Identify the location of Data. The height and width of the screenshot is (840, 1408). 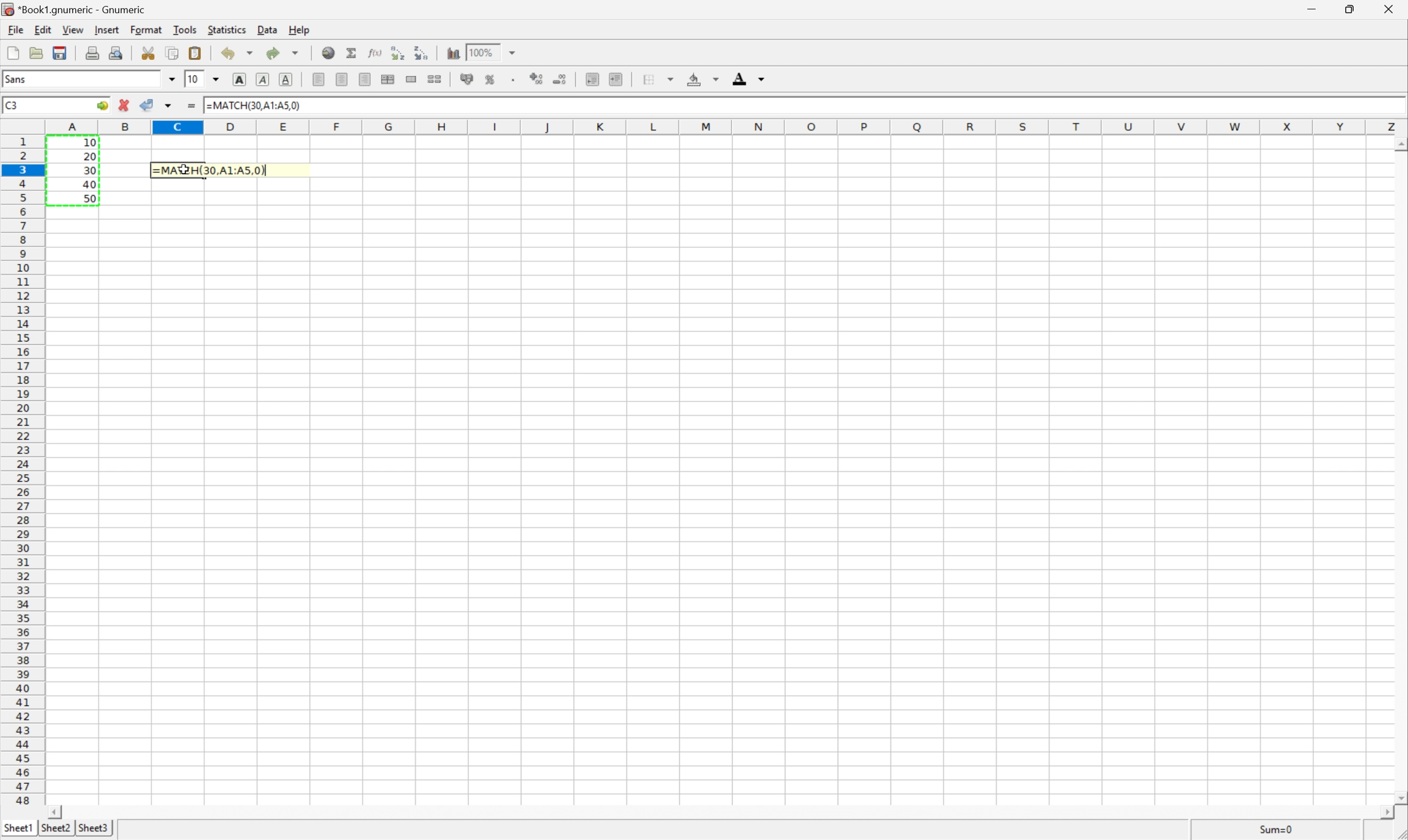
(268, 28).